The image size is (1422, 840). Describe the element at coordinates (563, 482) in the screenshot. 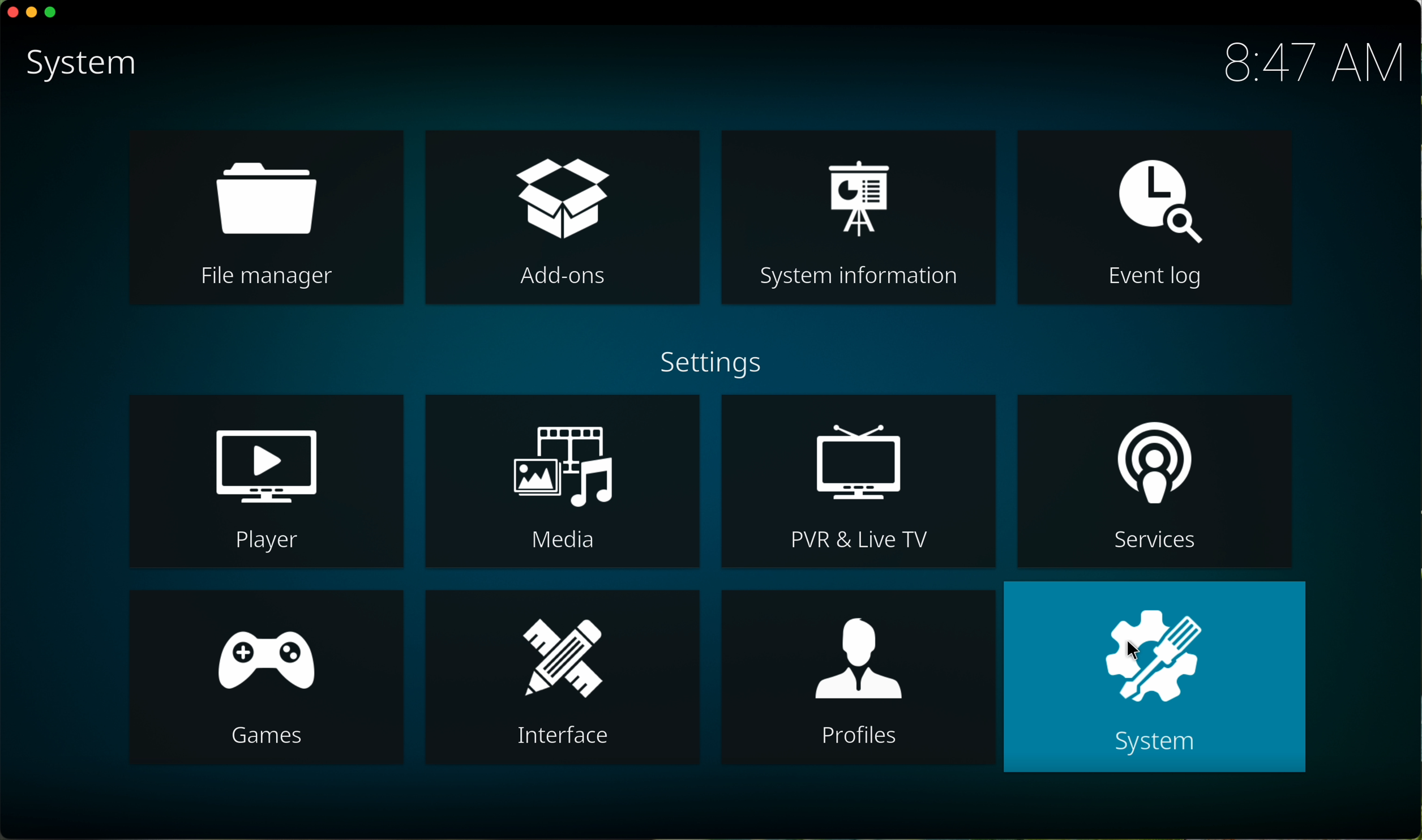

I see `media` at that location.